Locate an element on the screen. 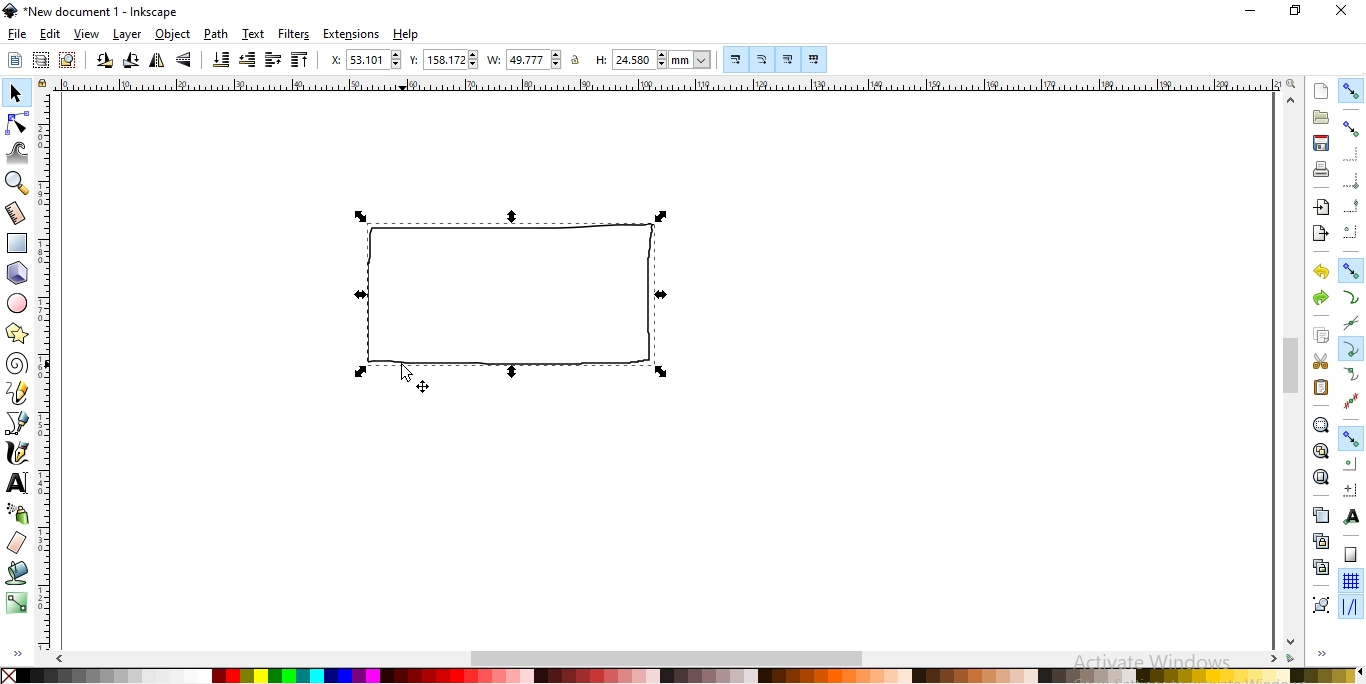 The width and height of the screenshot is (1366, 684). deselect any selected objects or nodes is located at coordinates (68, 60).